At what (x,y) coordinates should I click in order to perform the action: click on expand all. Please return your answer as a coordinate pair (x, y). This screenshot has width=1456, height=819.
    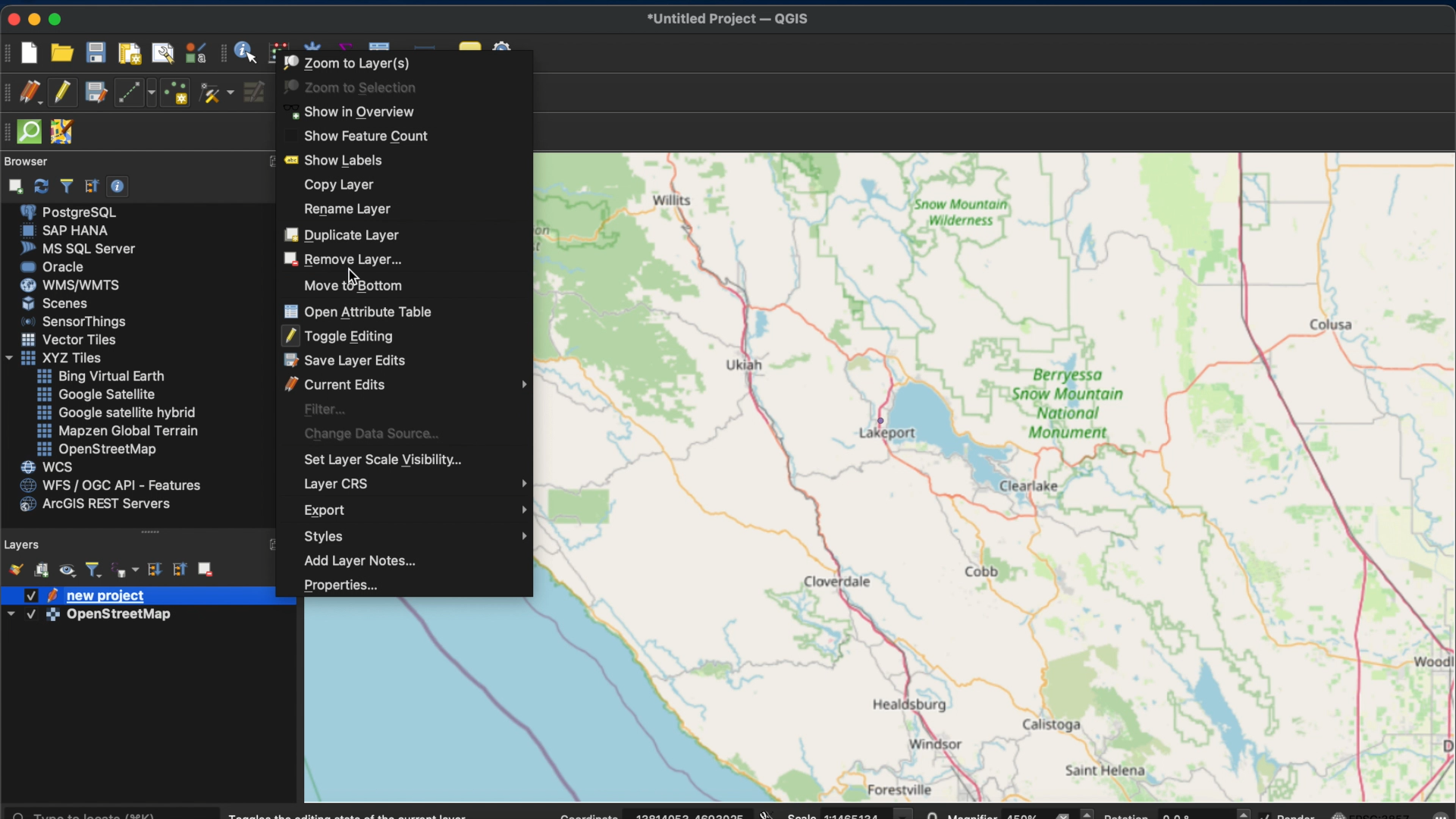
    Looking at the image, I should click on (154, 570).